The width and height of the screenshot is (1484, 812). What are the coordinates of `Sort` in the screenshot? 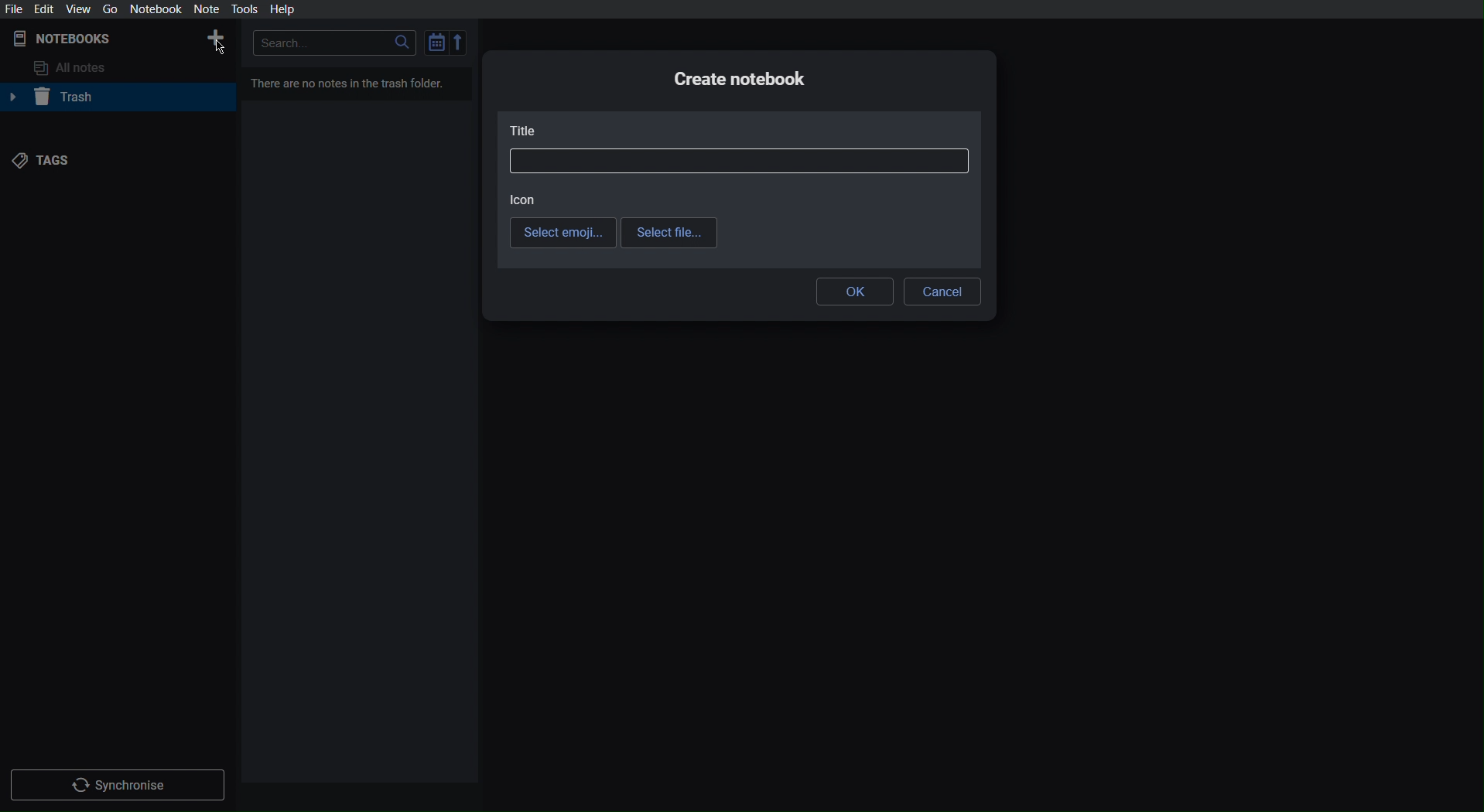 It's located at (447, 42).